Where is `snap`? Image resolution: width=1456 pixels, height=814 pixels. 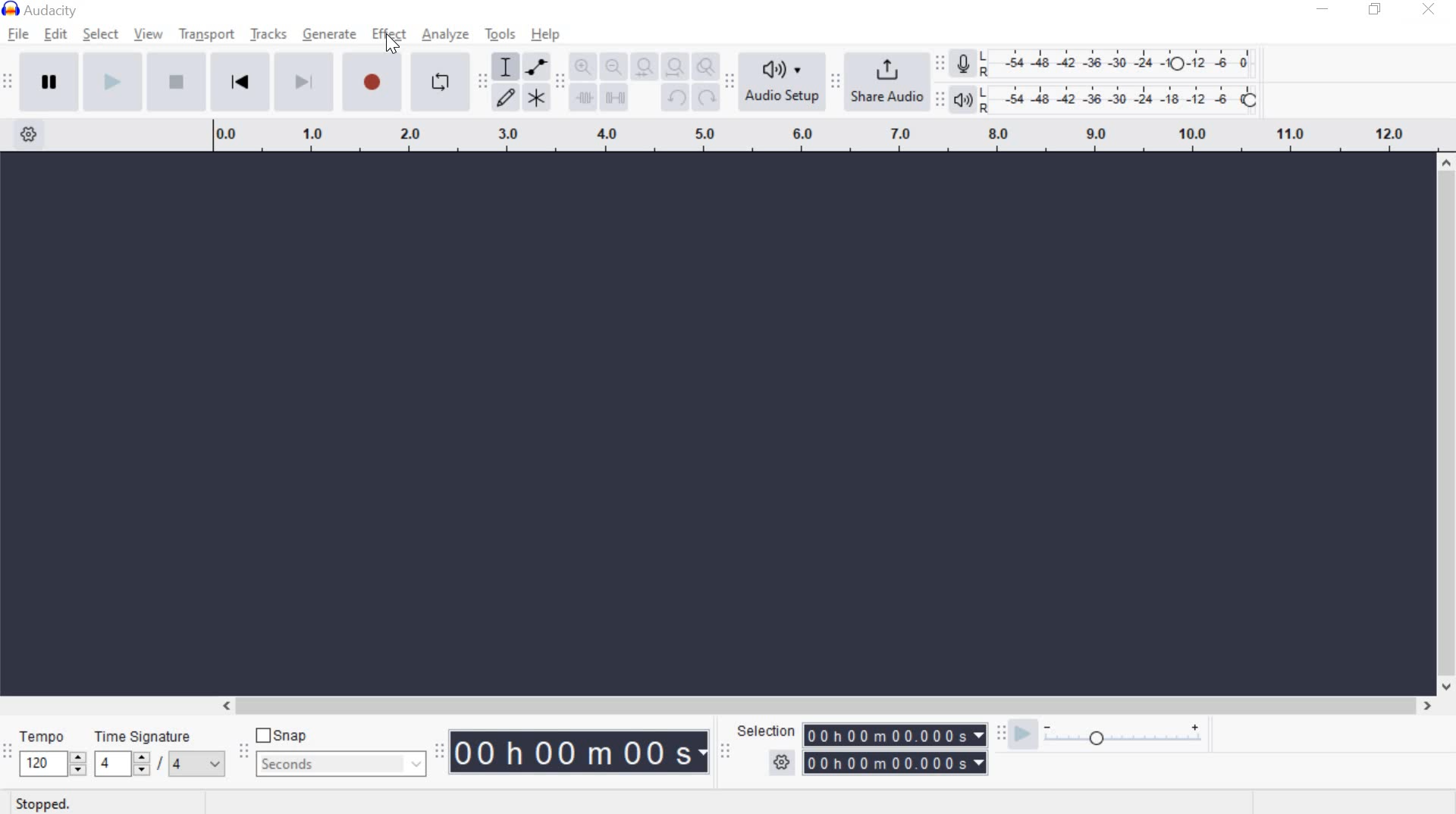 snap is located at coordinates (285, 734).